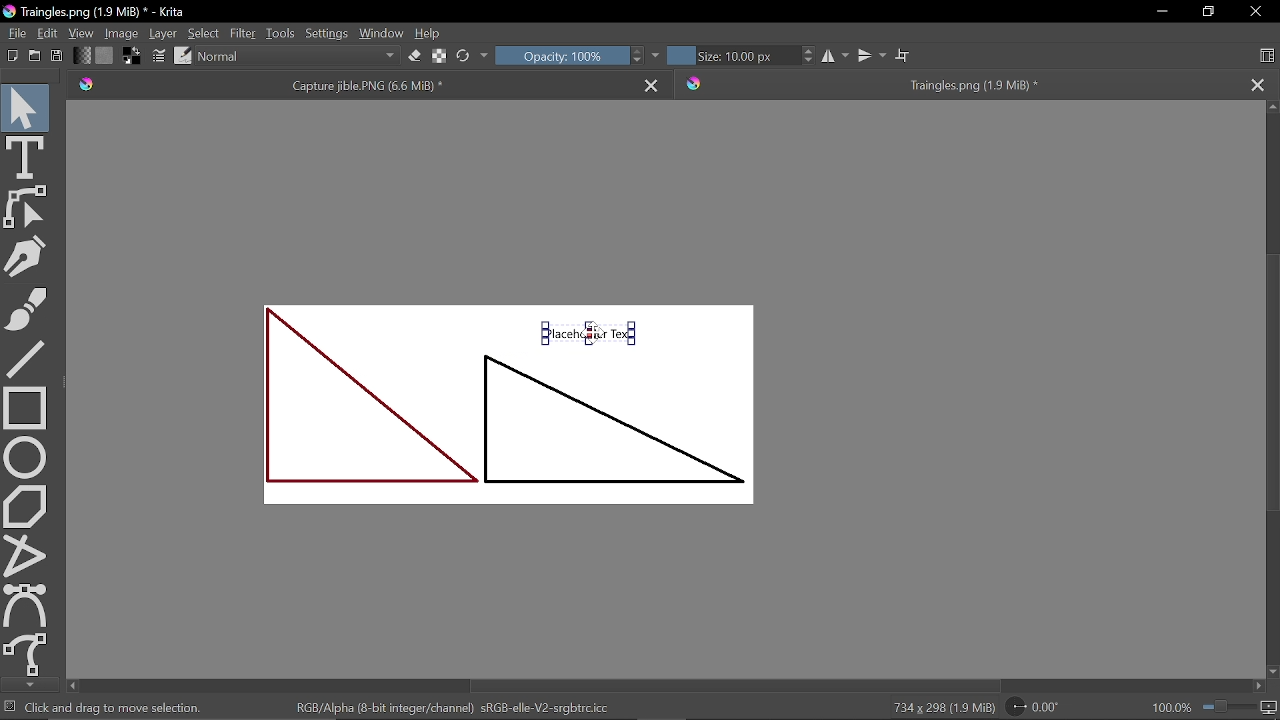  I want to click on Tools, so click(281, 32).